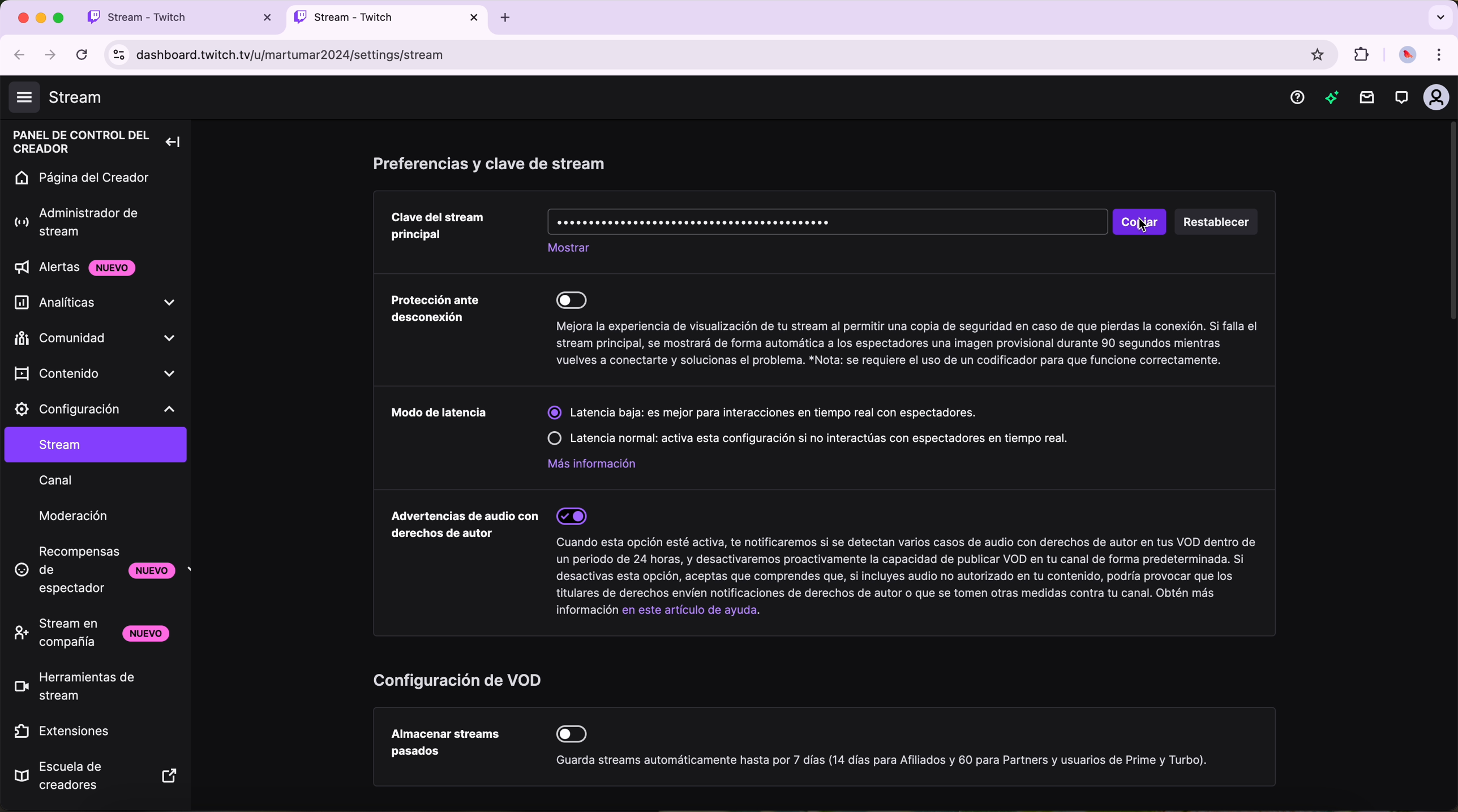 Image resolution: width=1458 pixels, height=812 pixels. I want to click on help, so click(1294, 98).